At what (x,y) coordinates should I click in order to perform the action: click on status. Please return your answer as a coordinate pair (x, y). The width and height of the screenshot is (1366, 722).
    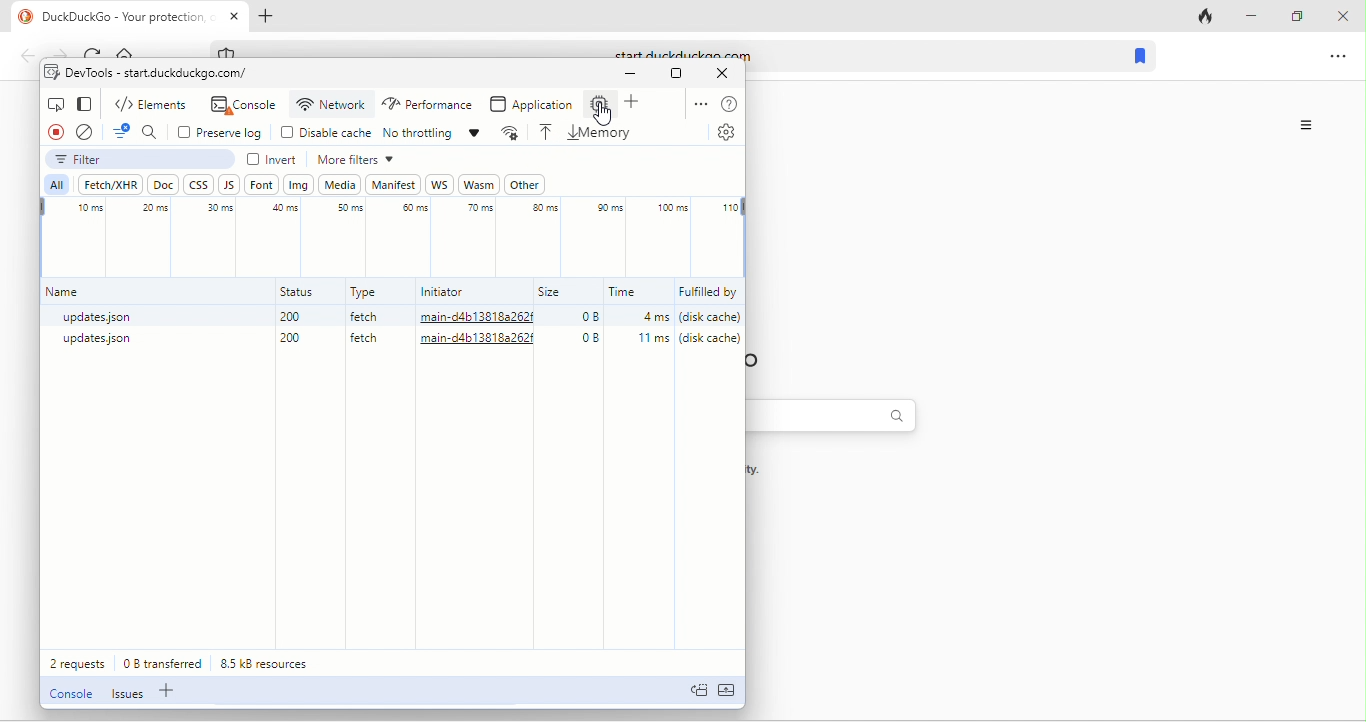
    Looking at the image, I should click on (303, 288).